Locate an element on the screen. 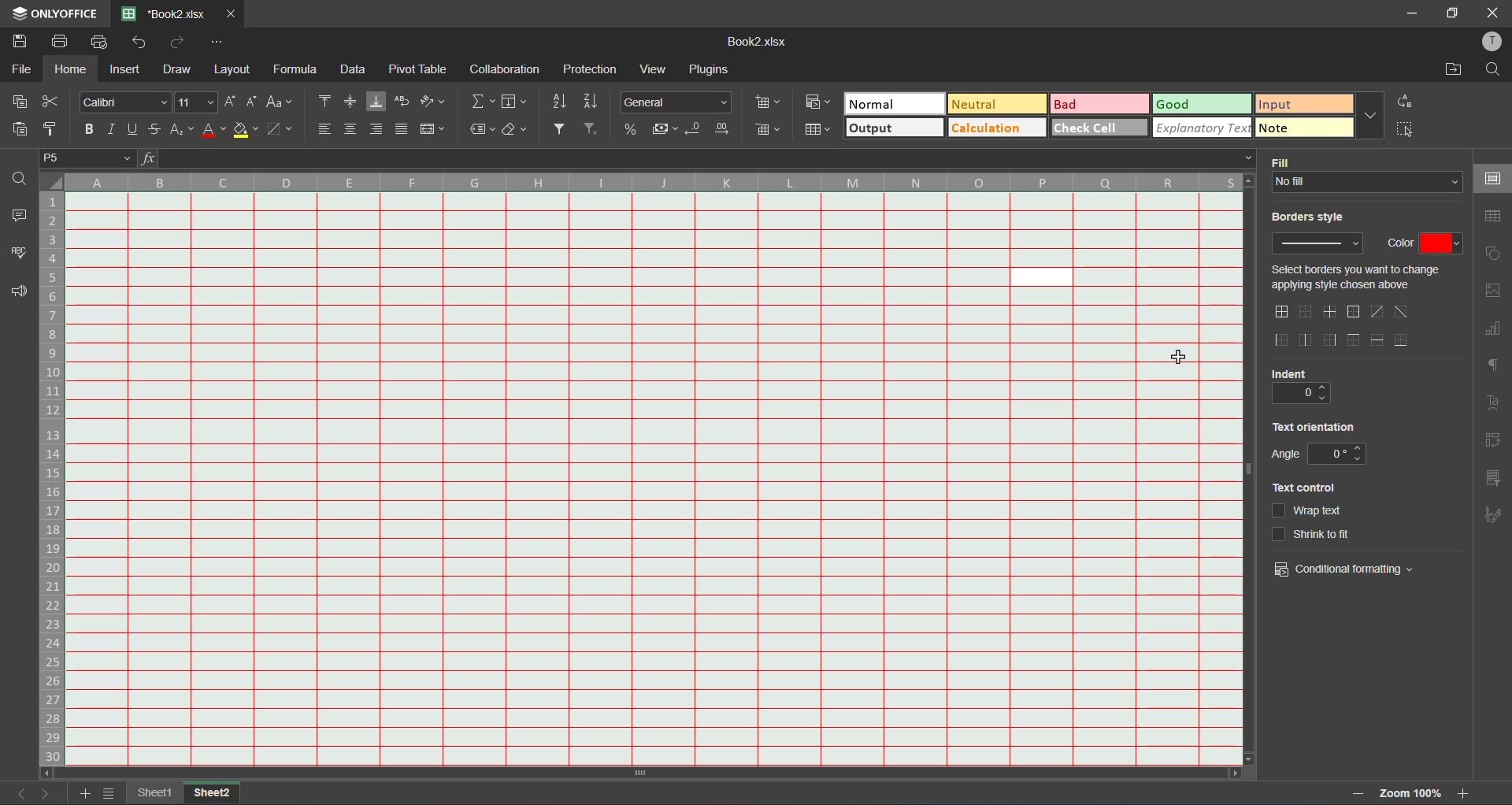  feedback is located at coordinates (19, 292).